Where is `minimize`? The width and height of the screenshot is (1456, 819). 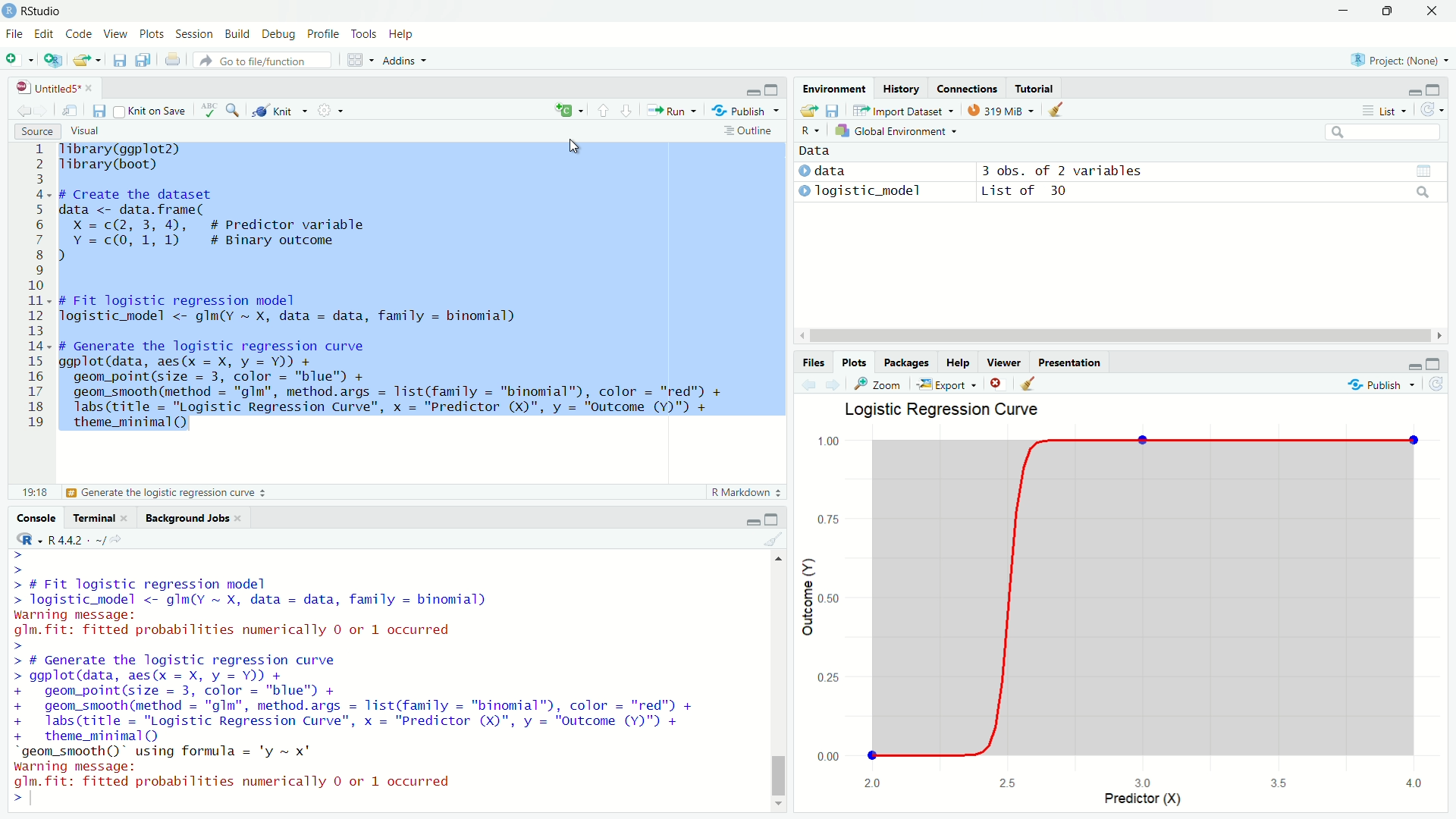 minimize is located at coordinates (1414, 93).